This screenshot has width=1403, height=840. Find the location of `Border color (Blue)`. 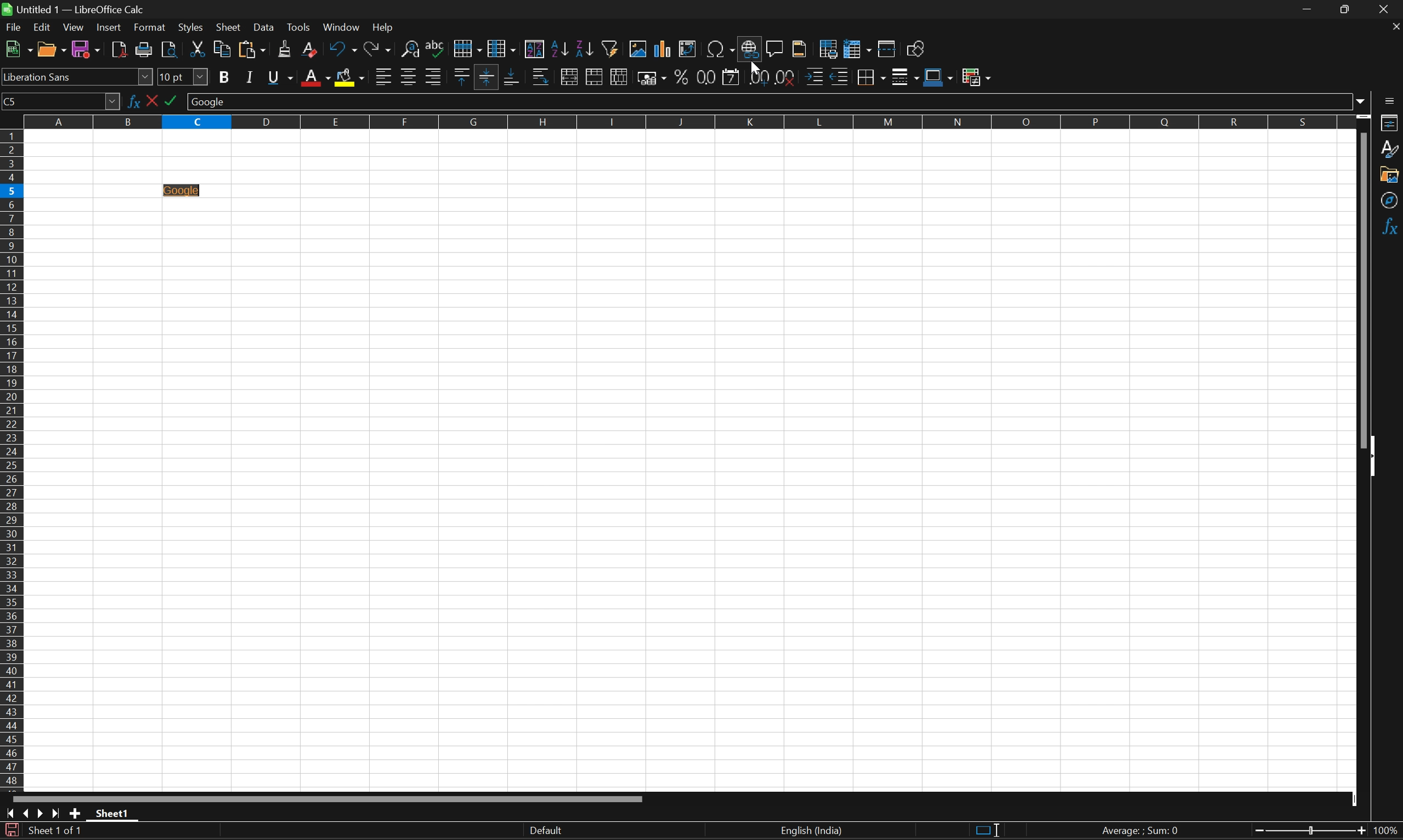

Border color (Blue) is located at coordinates (940, 77).